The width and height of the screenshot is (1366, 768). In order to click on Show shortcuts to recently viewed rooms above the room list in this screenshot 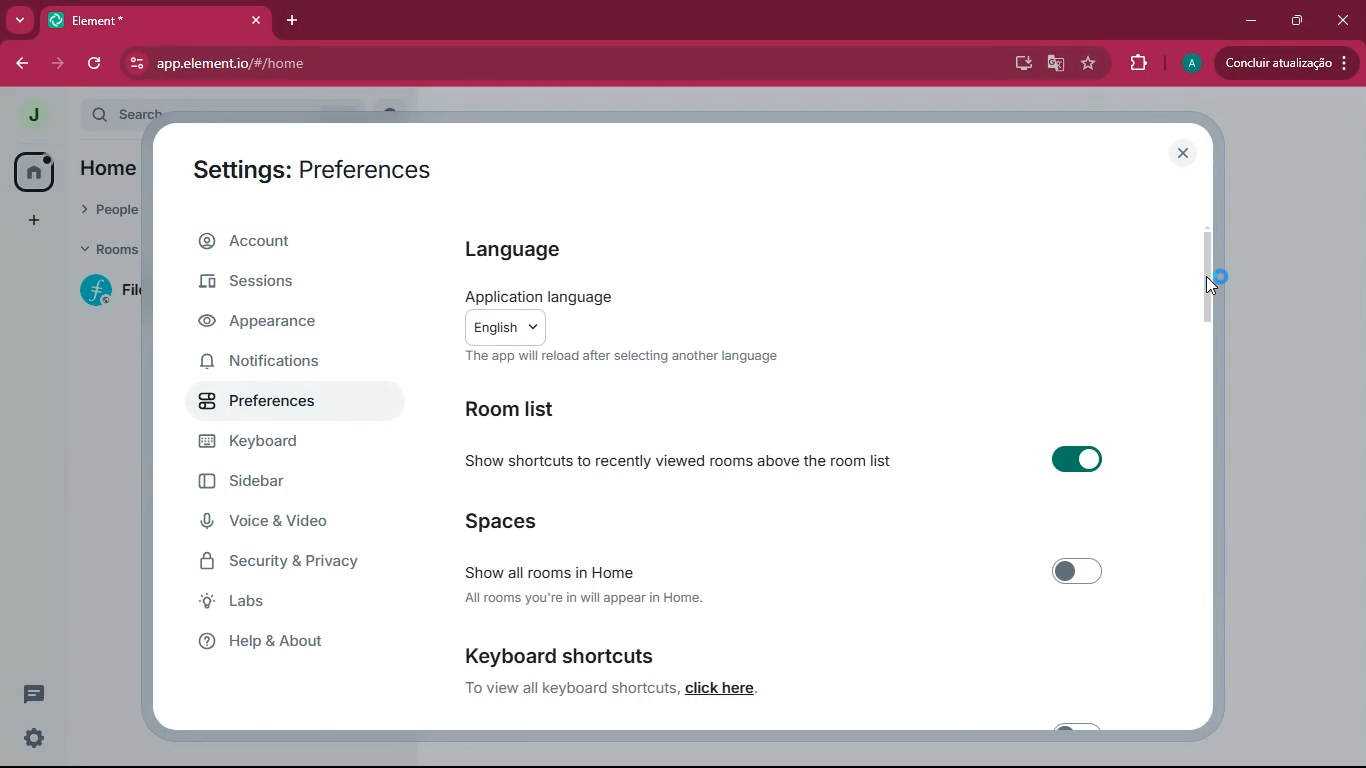, I will do `click(684, 462)`.